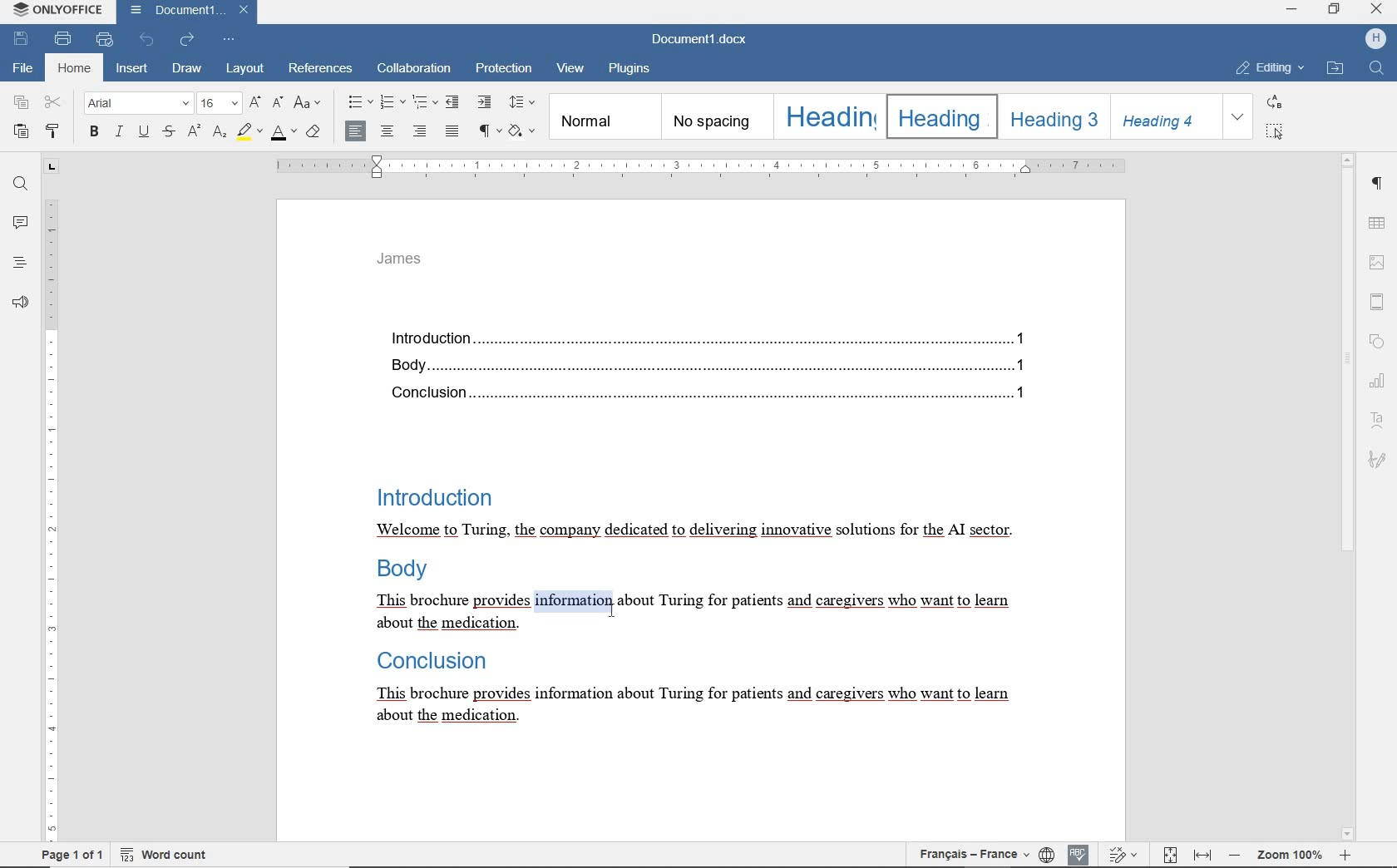 The width and height of the screenshot is (1397, 868). Describe the element at coordinates (106, 40) in the screenshot. I see `QUICK PRINT` at that location.